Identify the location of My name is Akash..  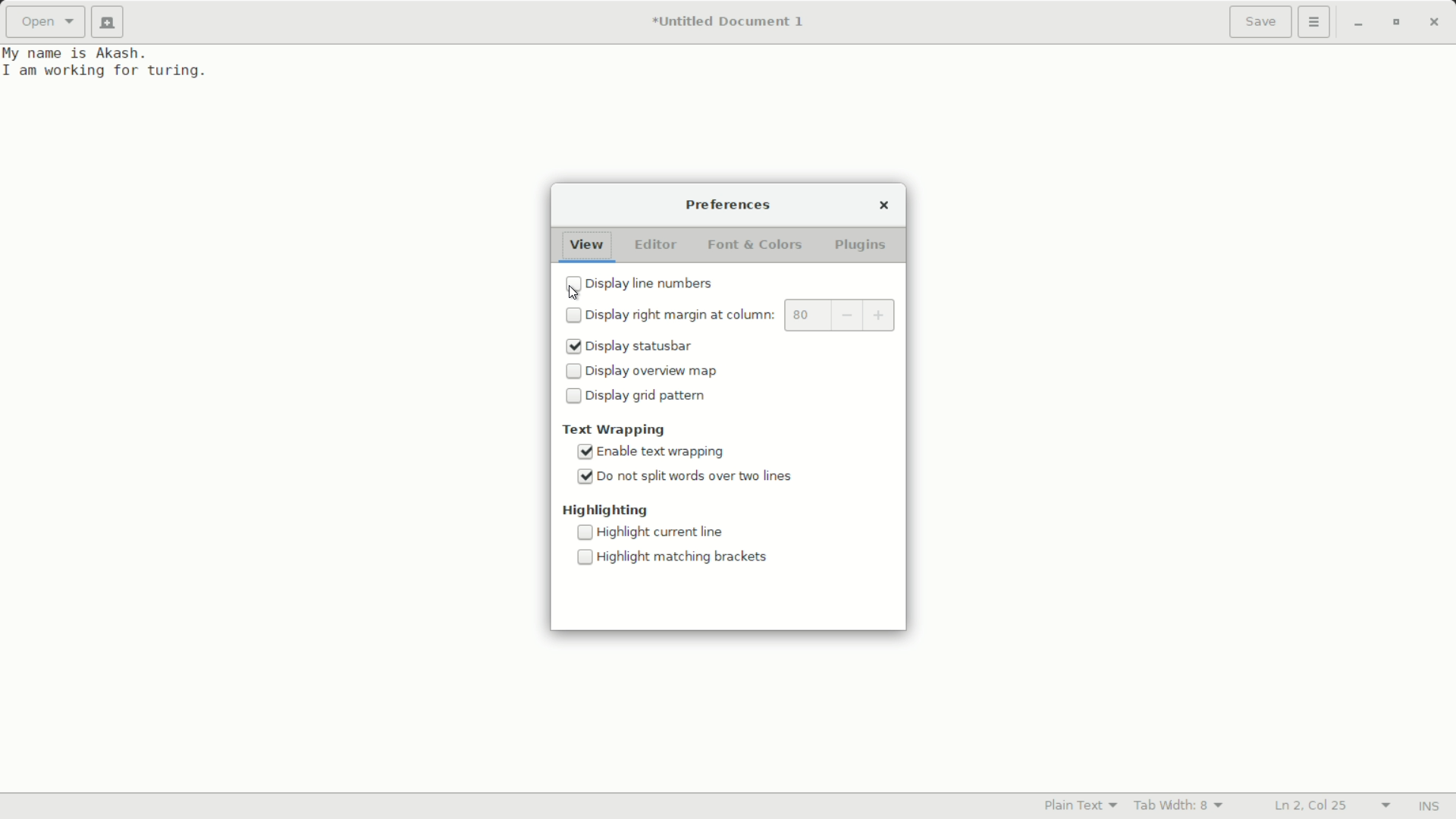
(77, 53).